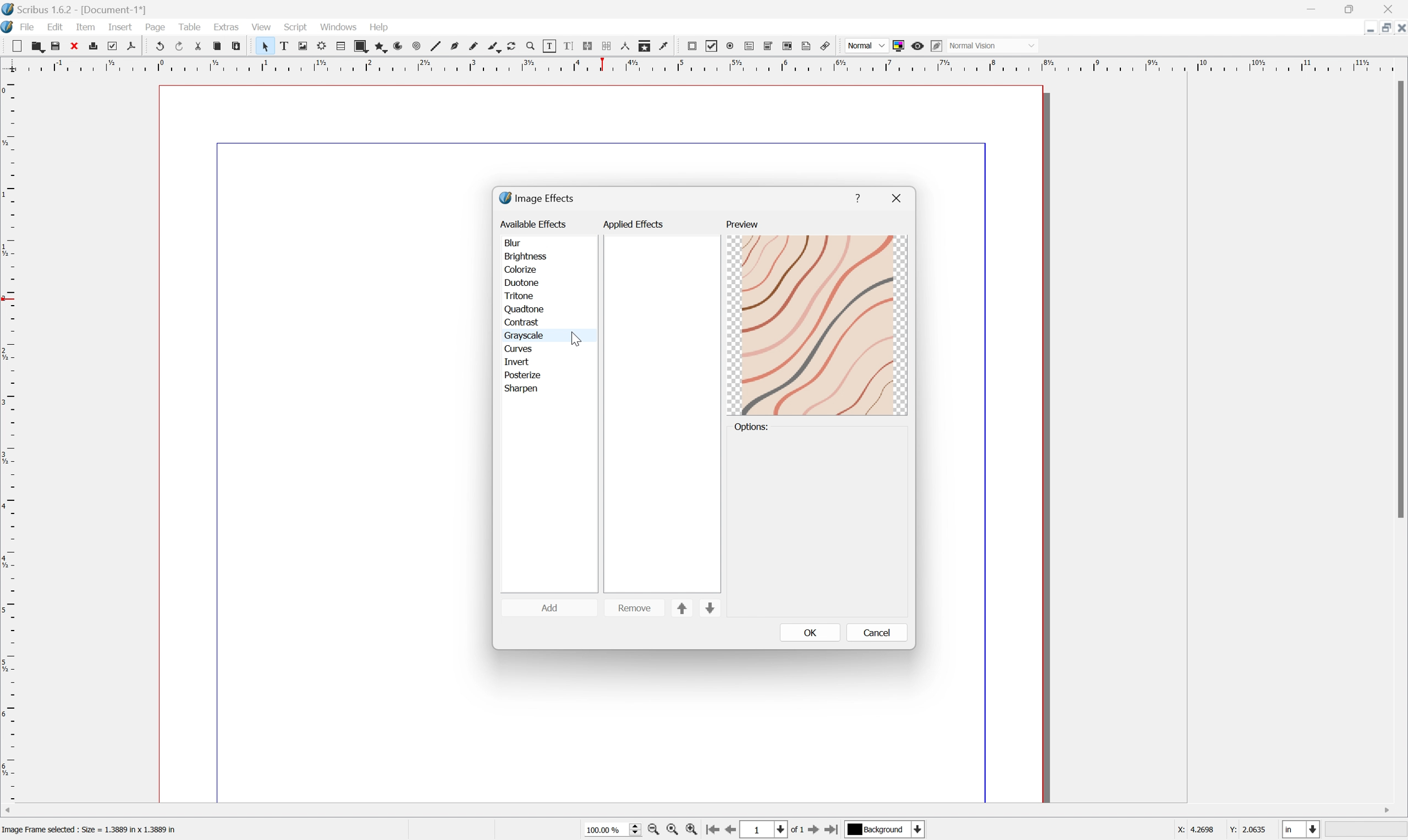 The width and height of the screenshot is (1408, 840). I want to click on Windows, so click(339, 26).